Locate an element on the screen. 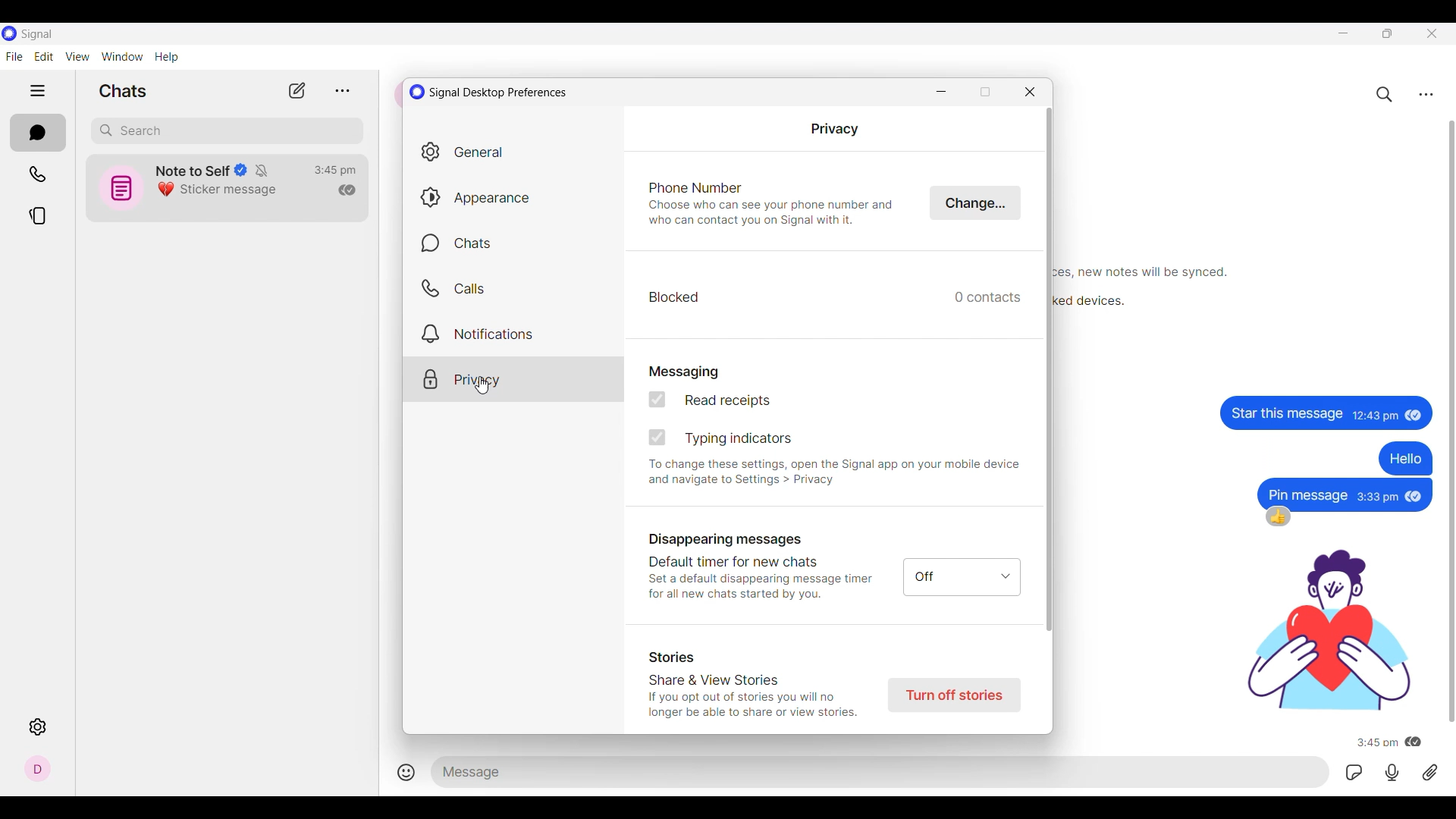 Image resolution: width=1456 pixels, height=819 pixels. Vertical slide bar is located at coordinates (1455, 420).